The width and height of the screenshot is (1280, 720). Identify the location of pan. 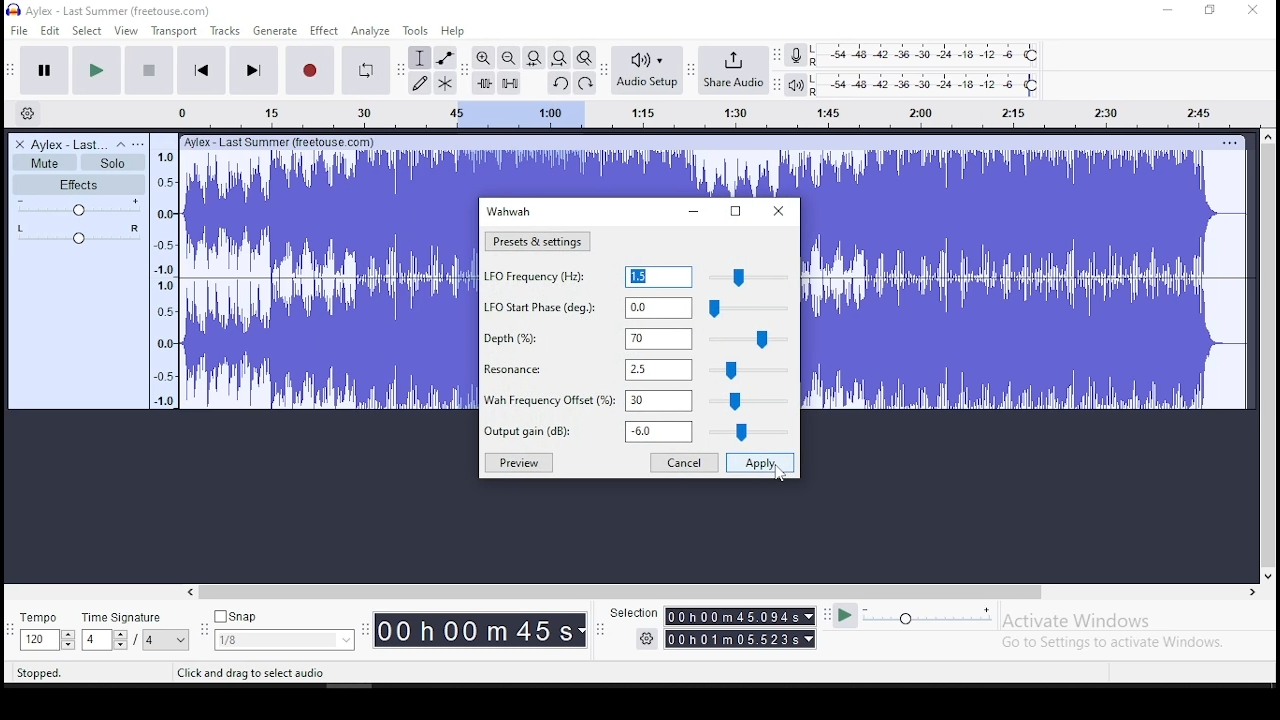
(77, 234).